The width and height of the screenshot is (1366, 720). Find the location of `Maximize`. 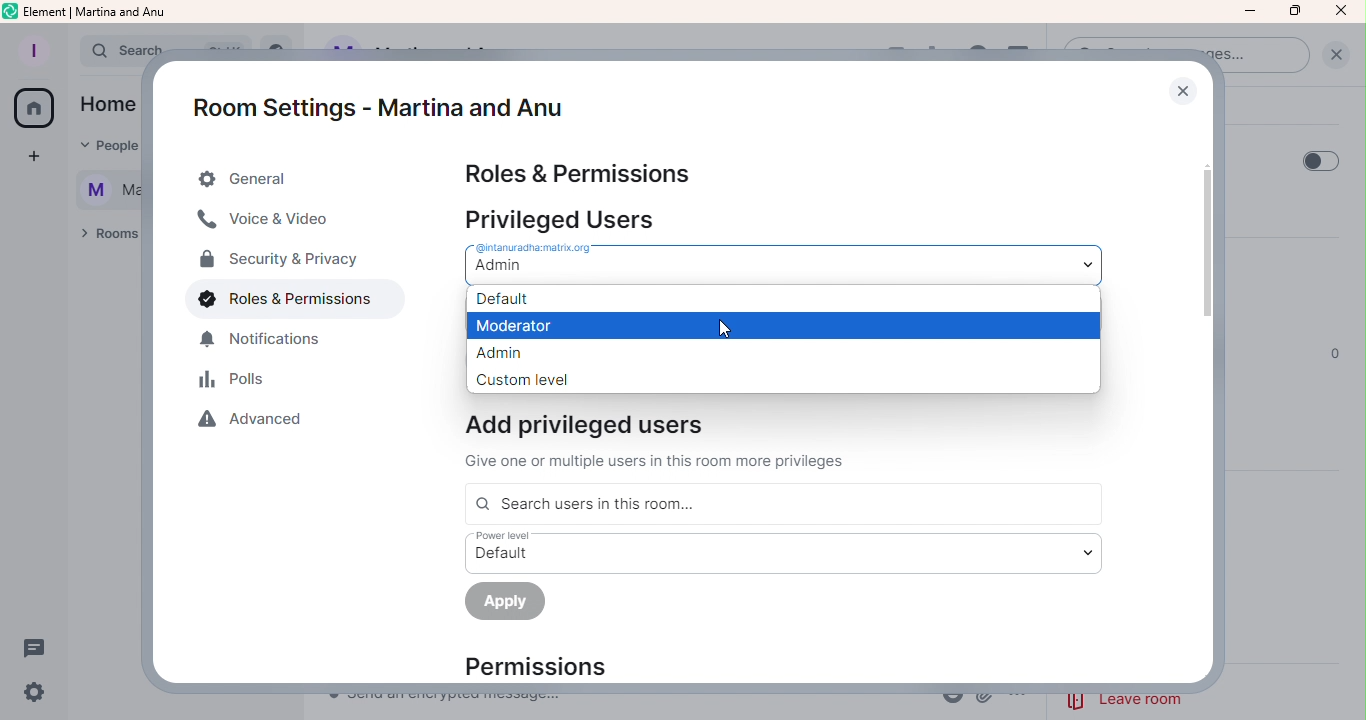

Maximize is located at coordinates (1293, 12).